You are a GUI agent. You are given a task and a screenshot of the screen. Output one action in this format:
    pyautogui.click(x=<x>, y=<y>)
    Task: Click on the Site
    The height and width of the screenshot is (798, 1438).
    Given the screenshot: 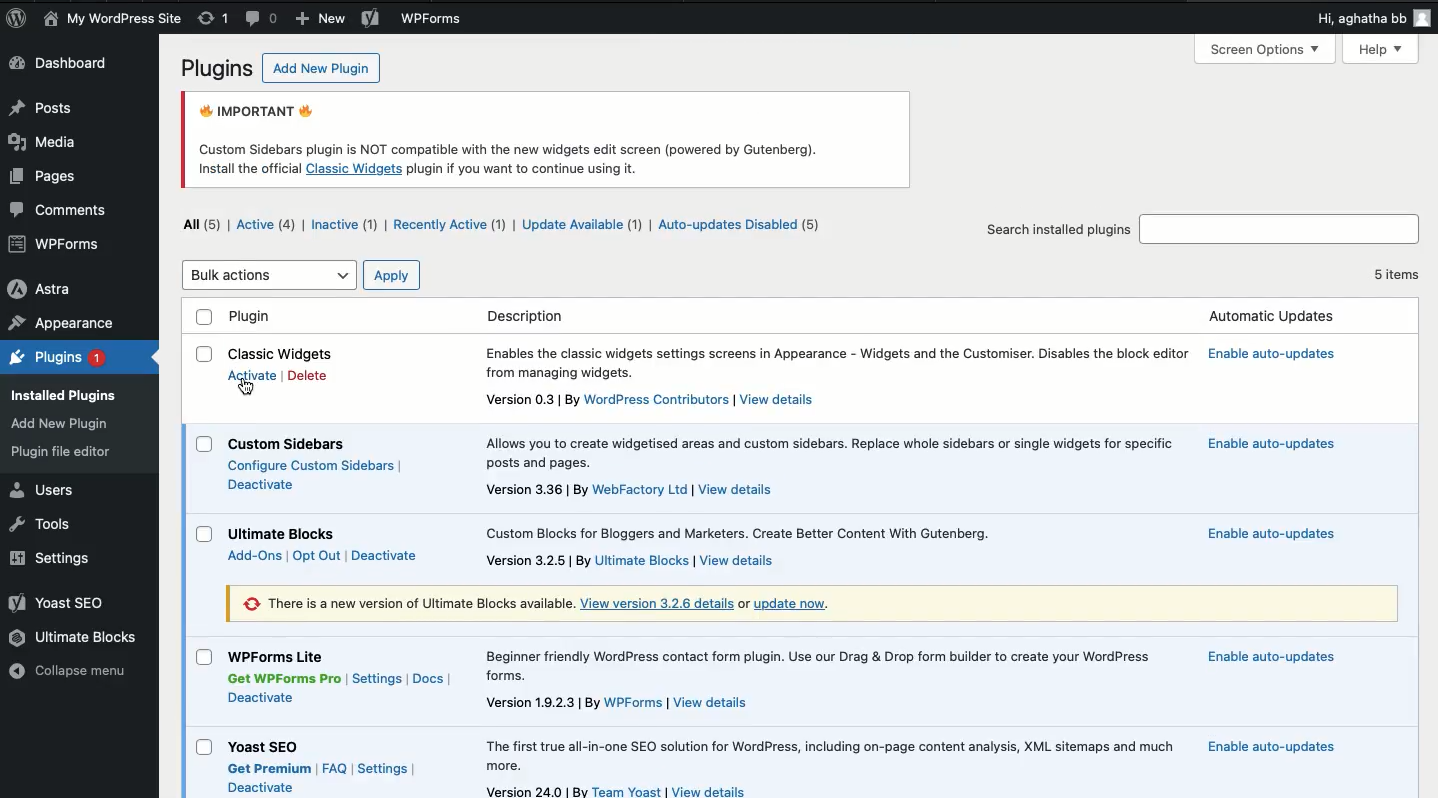 What is the action you would take?
    pyautogui.click(x=113, y=19)
    